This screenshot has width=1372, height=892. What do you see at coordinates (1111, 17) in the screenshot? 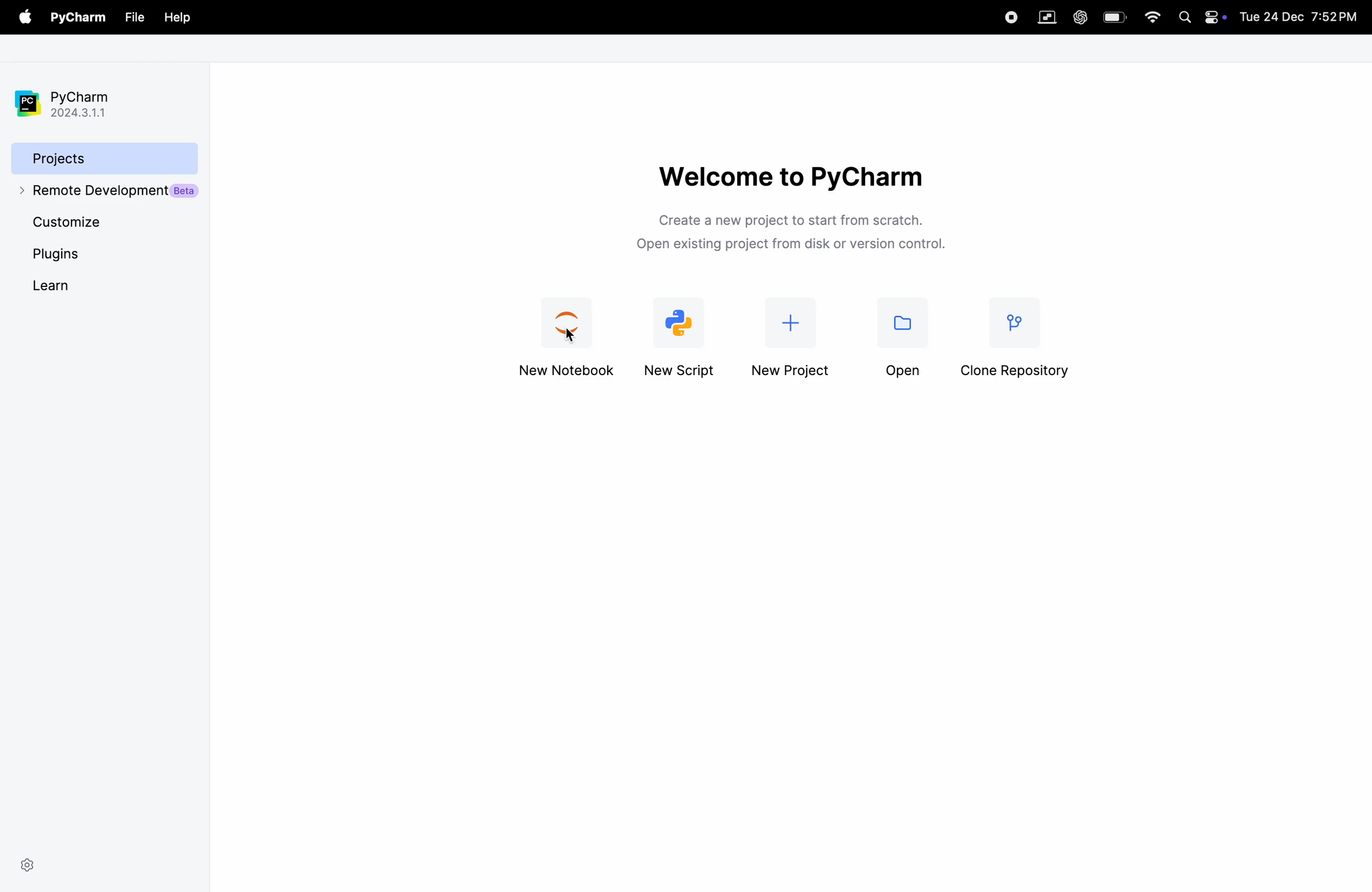
I see `battery` at bounding box center [1111, 17].